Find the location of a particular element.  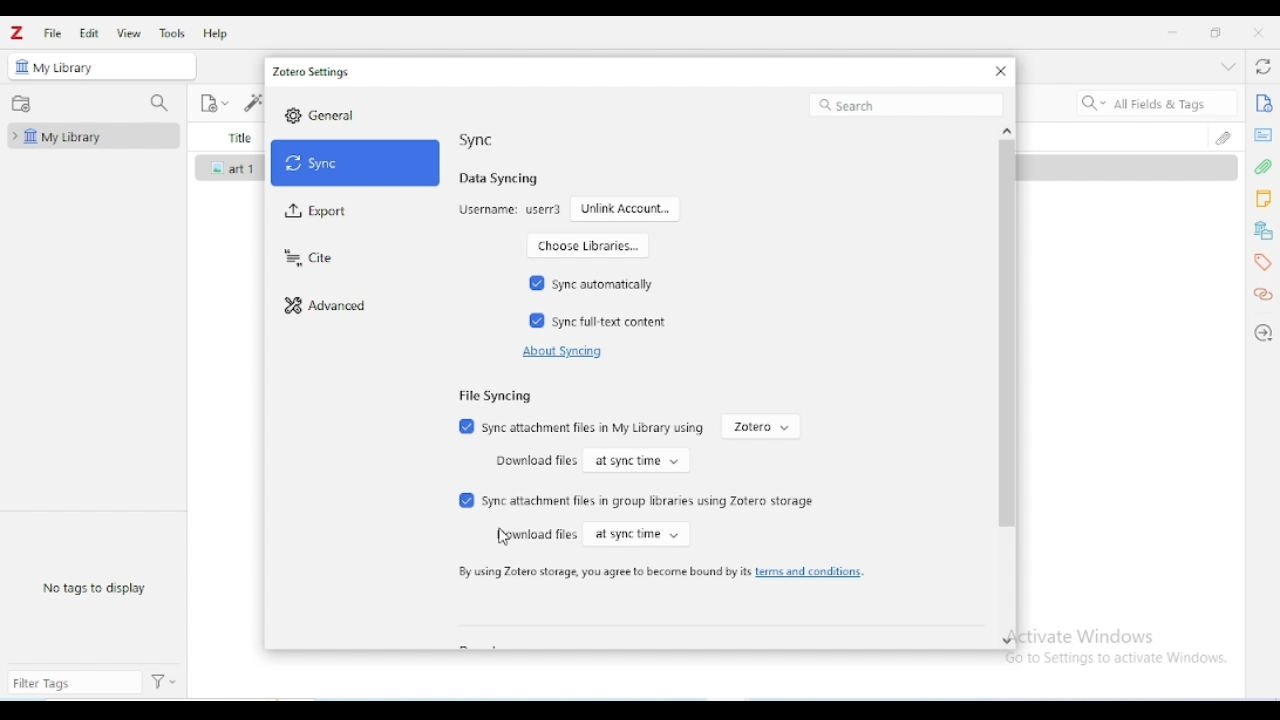

file is located at coordinates (52, 34).